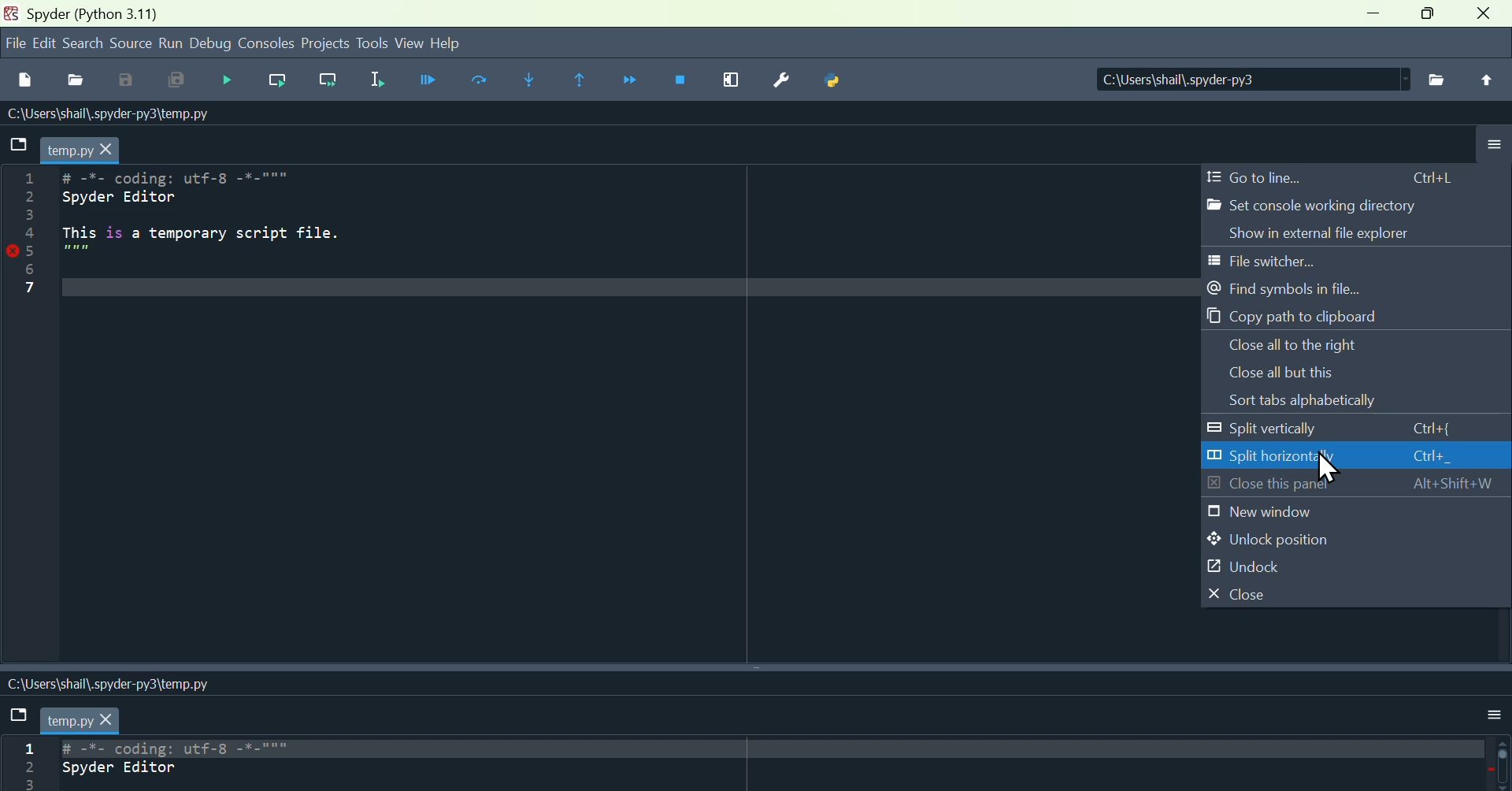  I want to click on Unlock position, so click(1280, 539).